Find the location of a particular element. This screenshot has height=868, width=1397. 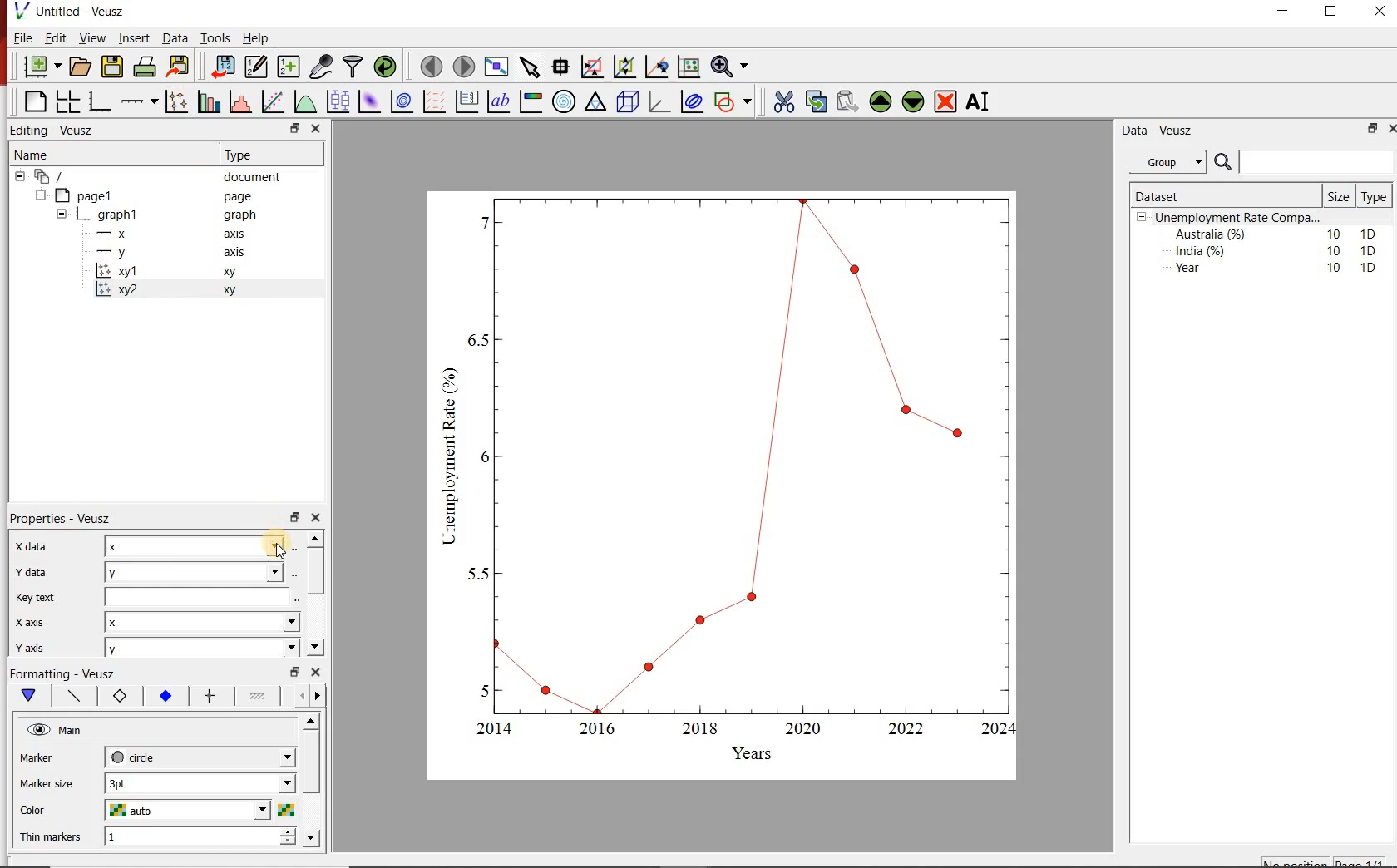

Australia (%) 10 1D is located at coordinates (1277, 234).